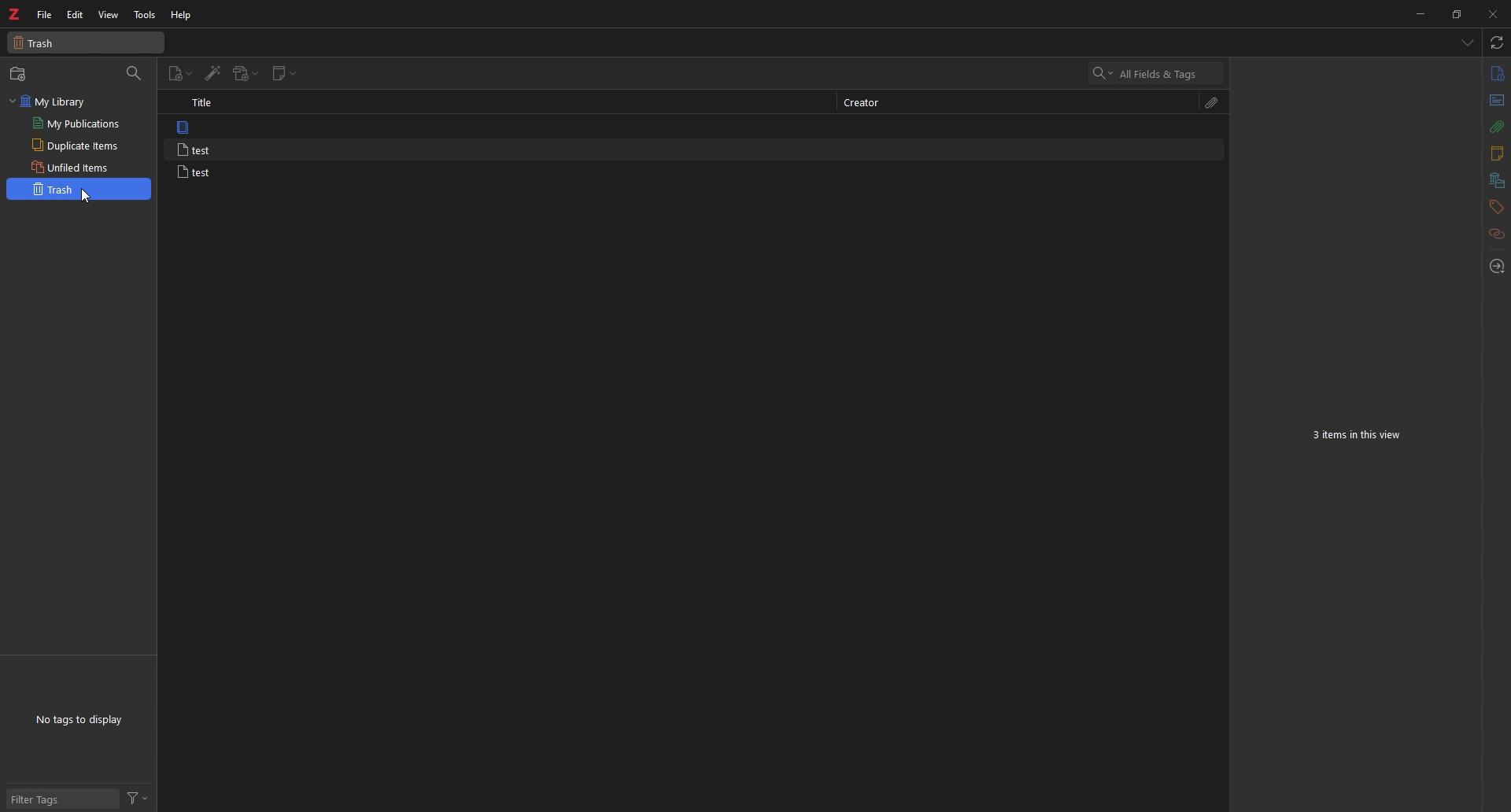 The height and width of the screenshot is (812, 1511). Describe the element at coordinates (109, 15) in the screenshot. I see `view` at that location.